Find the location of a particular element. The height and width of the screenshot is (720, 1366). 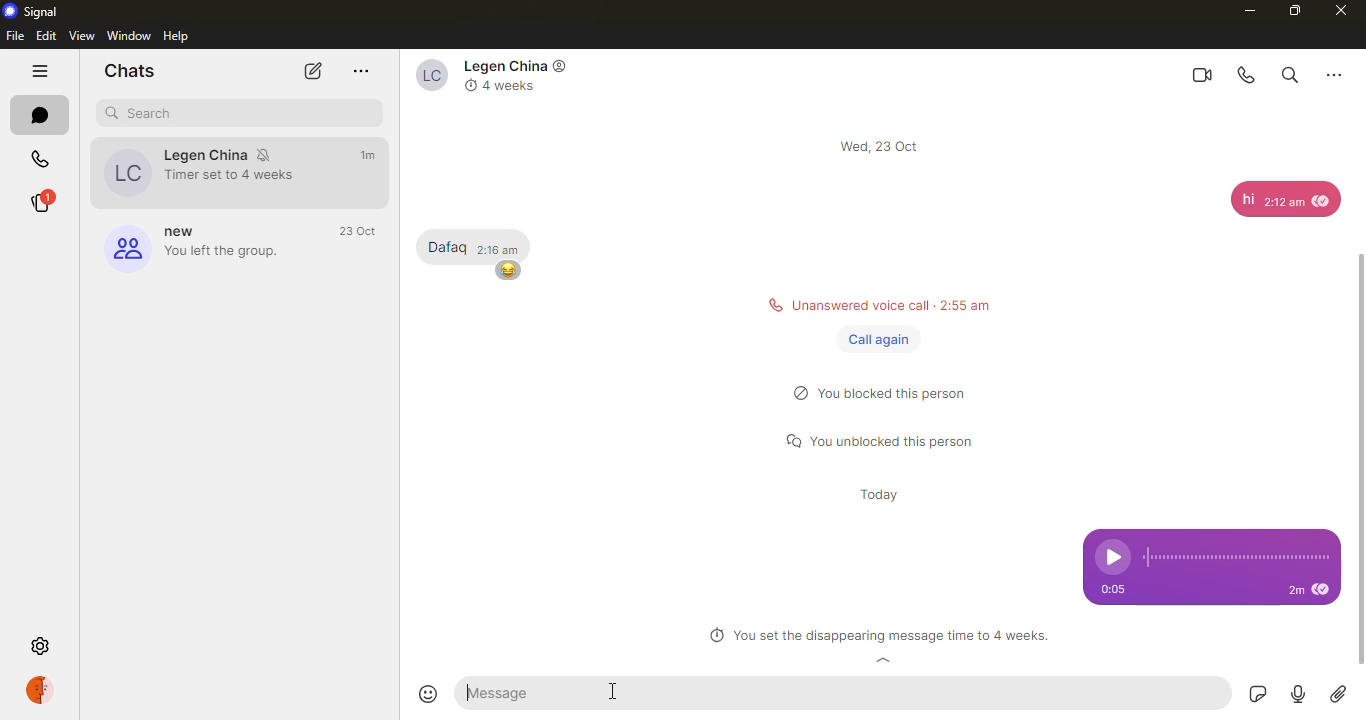

seen is located at coordinates (1324, 591).